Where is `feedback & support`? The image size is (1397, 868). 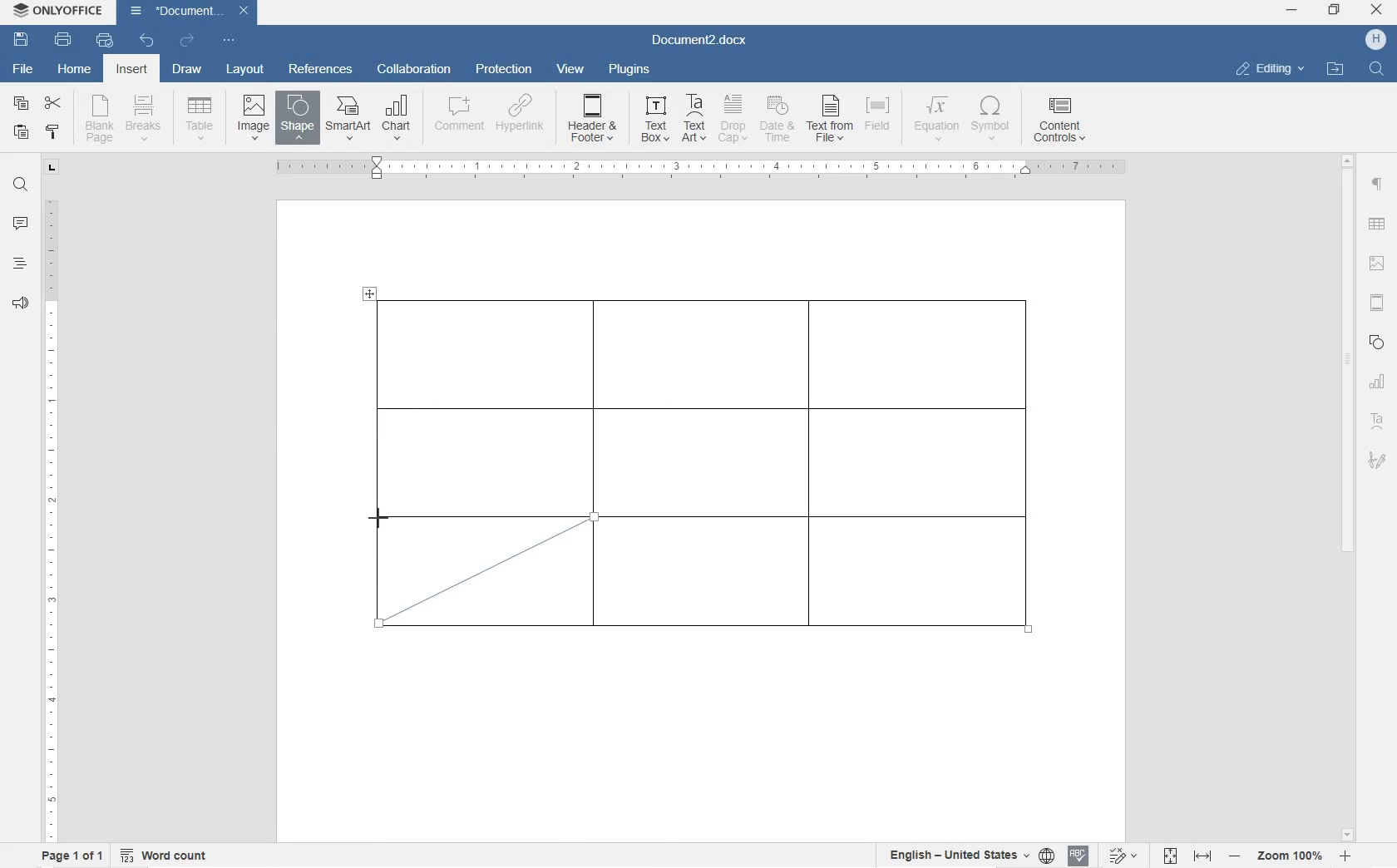
feedback & support is located at coordinates (20, 305).